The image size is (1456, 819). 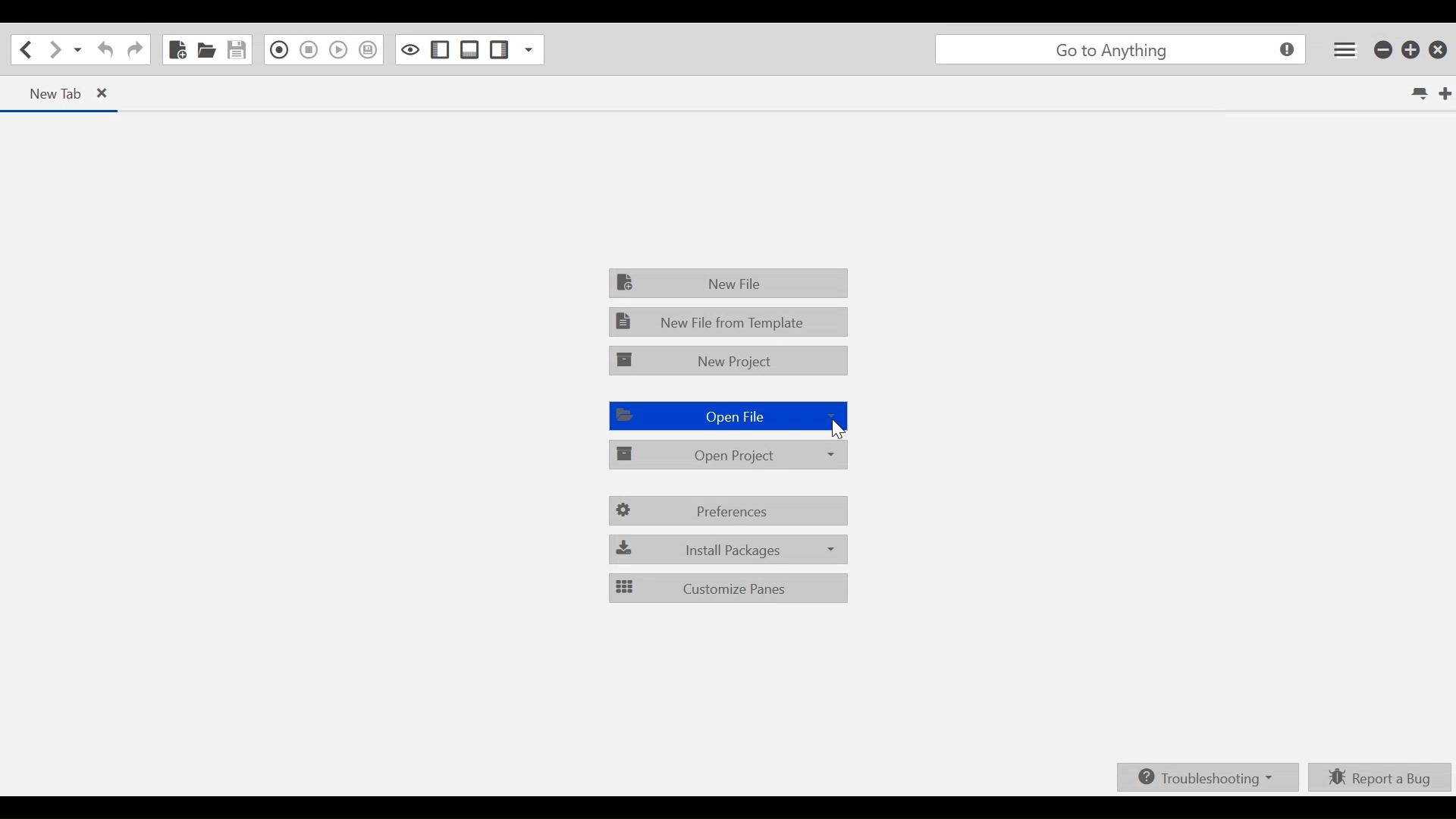 What do you see at coordinates (727, 455) in the screenshot?
I see `Open Project` at bounding box center [727, 455].